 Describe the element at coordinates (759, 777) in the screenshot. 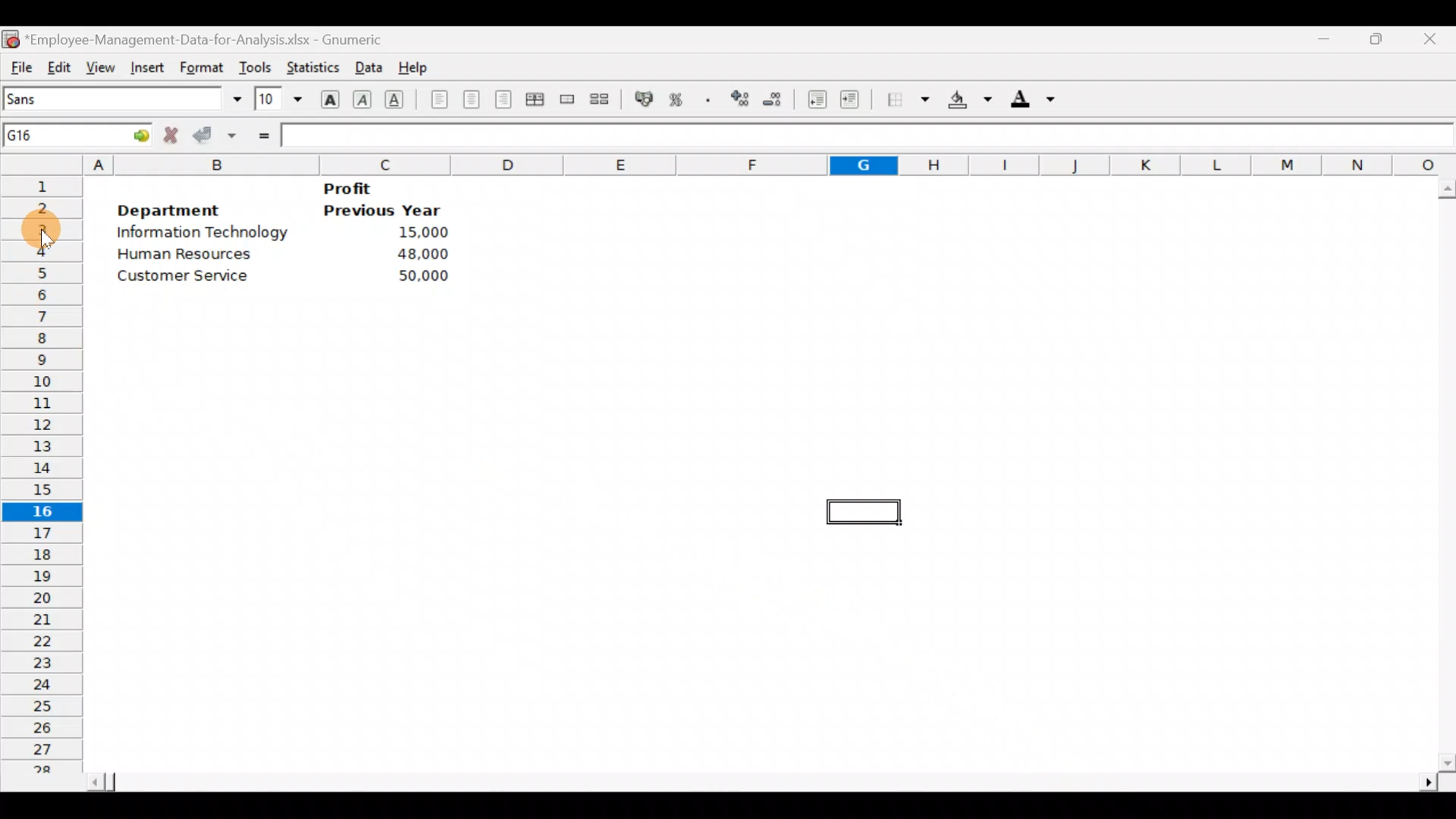

I see `Scroll bar` at that location.